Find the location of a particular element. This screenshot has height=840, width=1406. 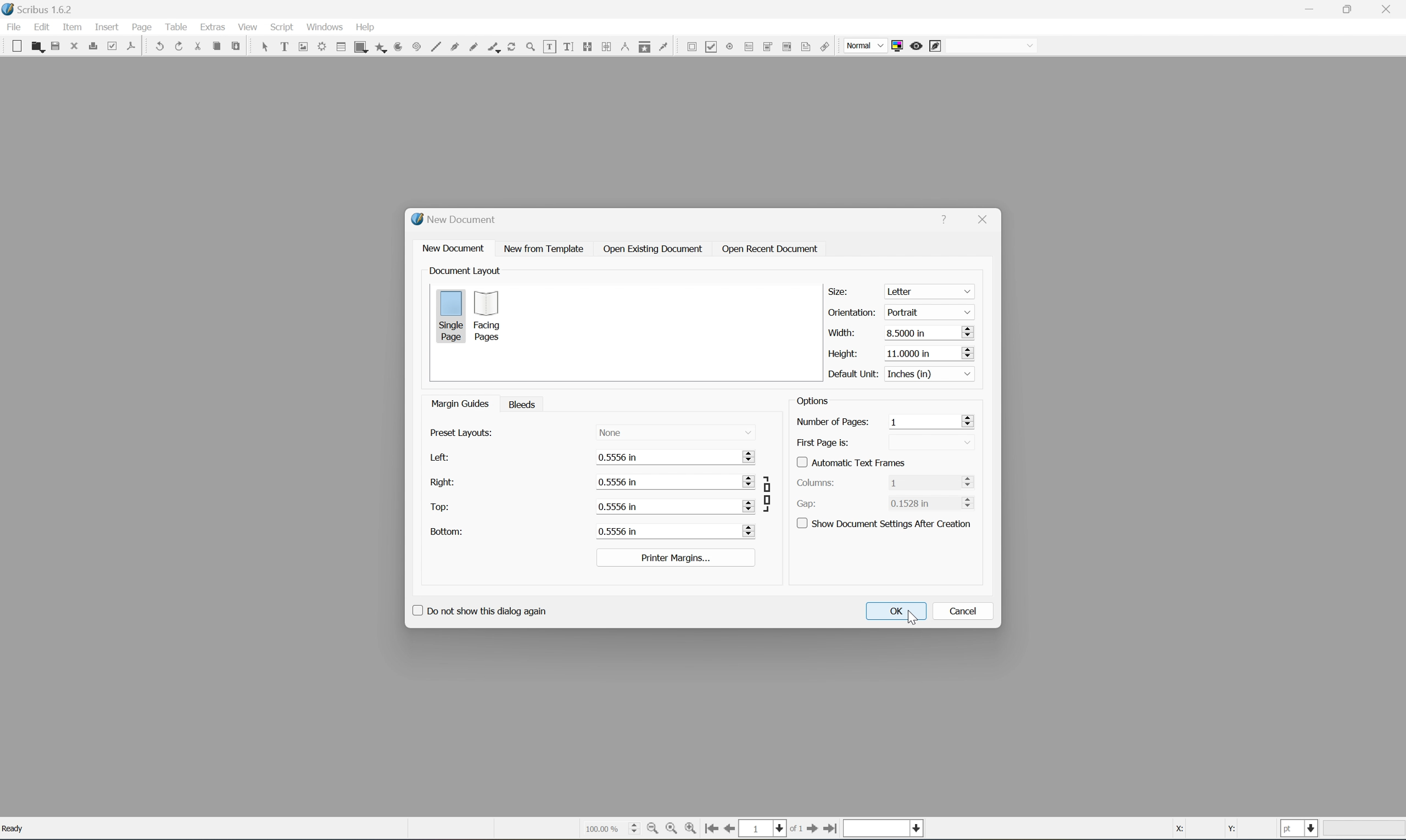

0.556 in is located at coordinates (673, 507).